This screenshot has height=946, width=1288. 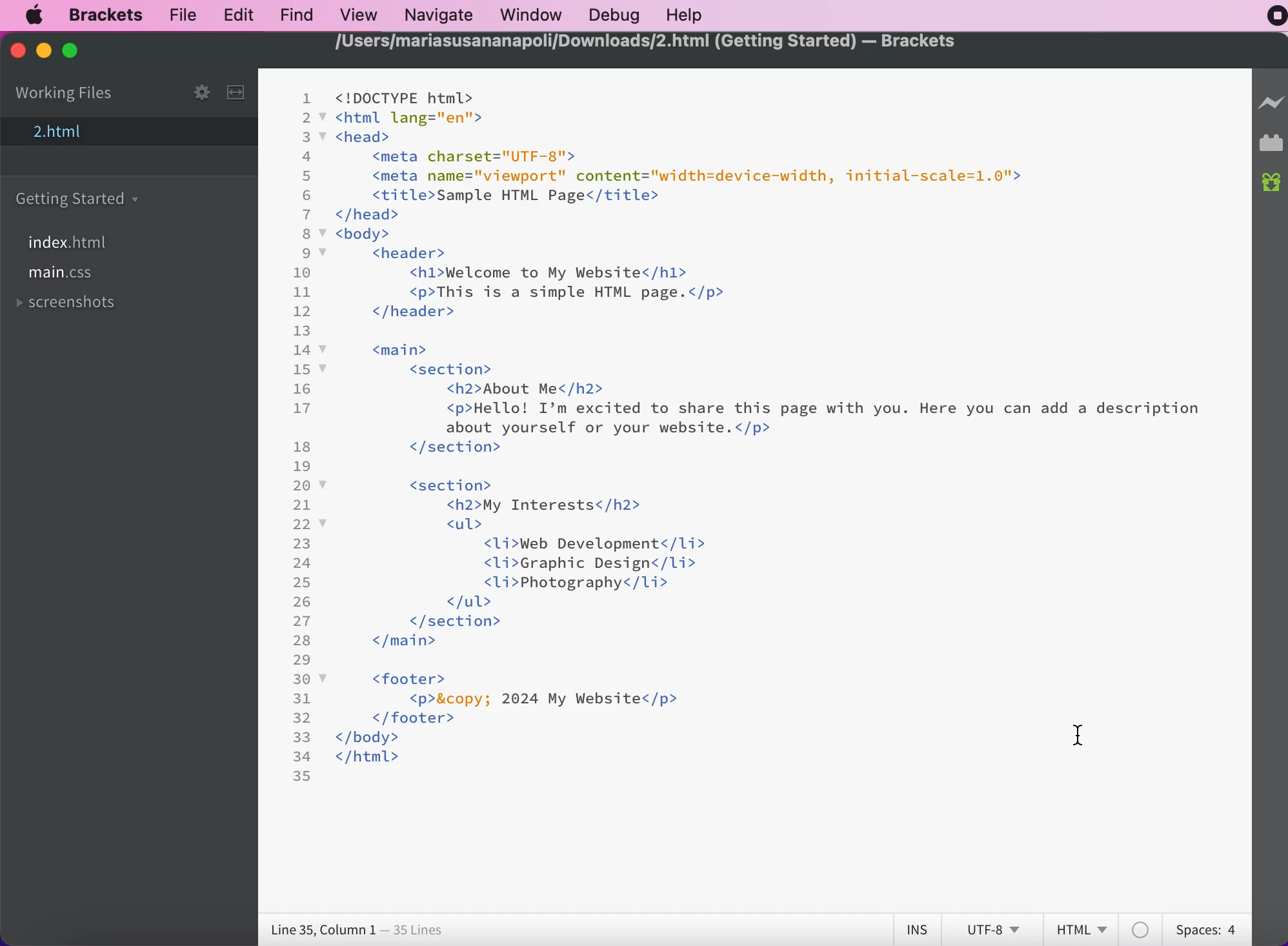 I want to click on configure working set, so click(x=197, y=90).